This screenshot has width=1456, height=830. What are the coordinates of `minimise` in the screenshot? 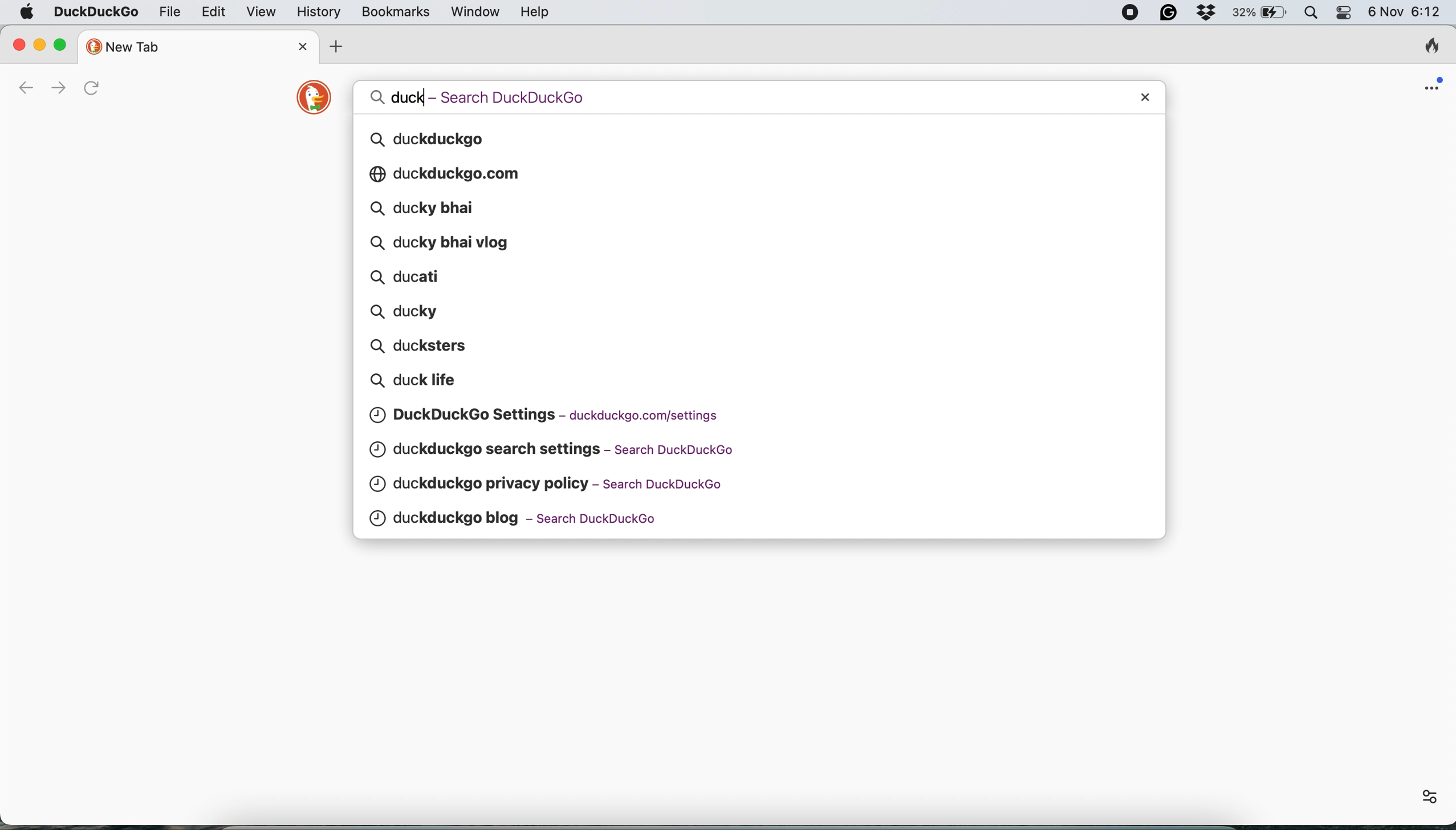 It's located at (39, 43).